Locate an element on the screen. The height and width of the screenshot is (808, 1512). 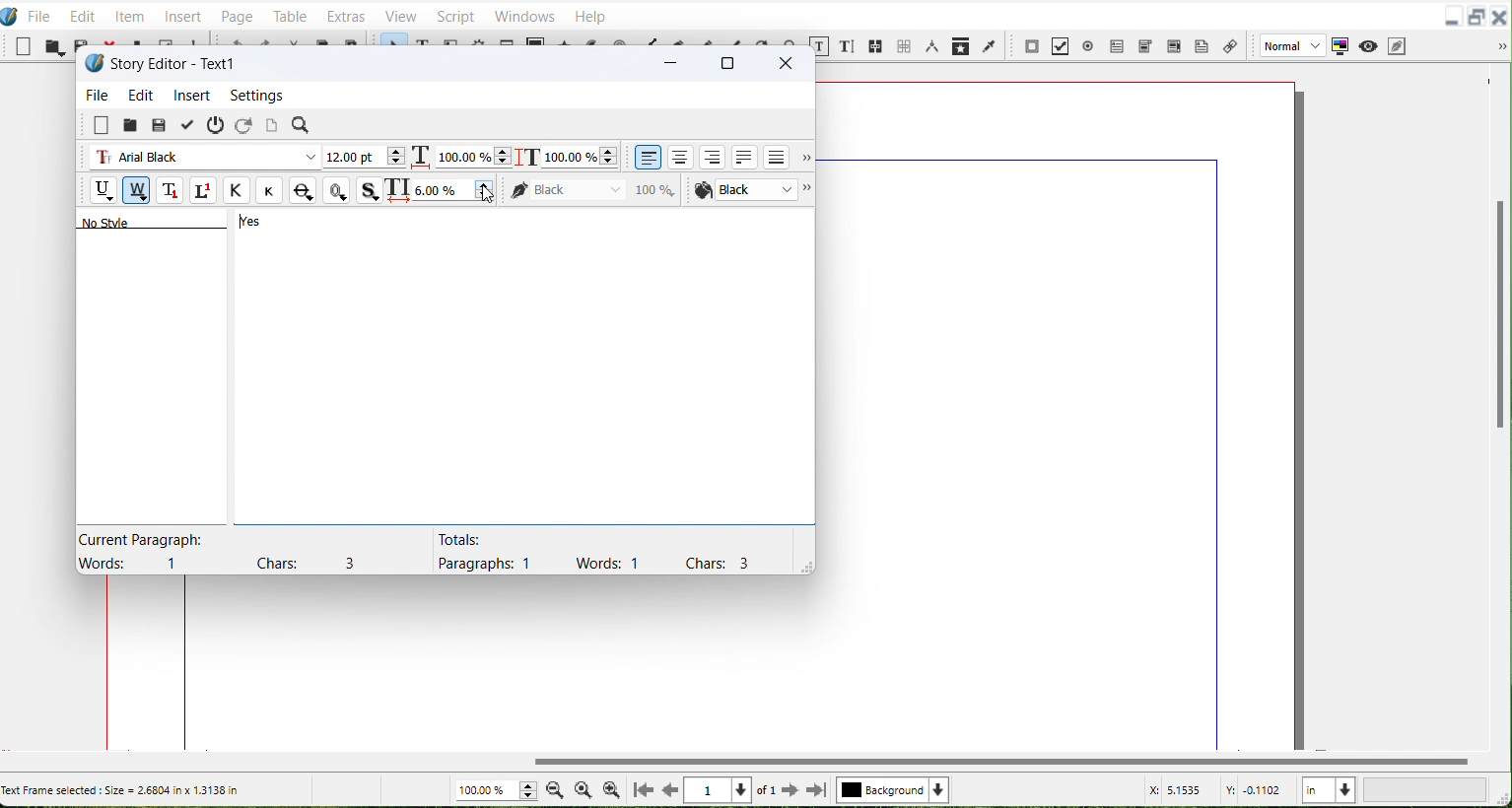
Drop down box is located at coordinates (1502, 47).